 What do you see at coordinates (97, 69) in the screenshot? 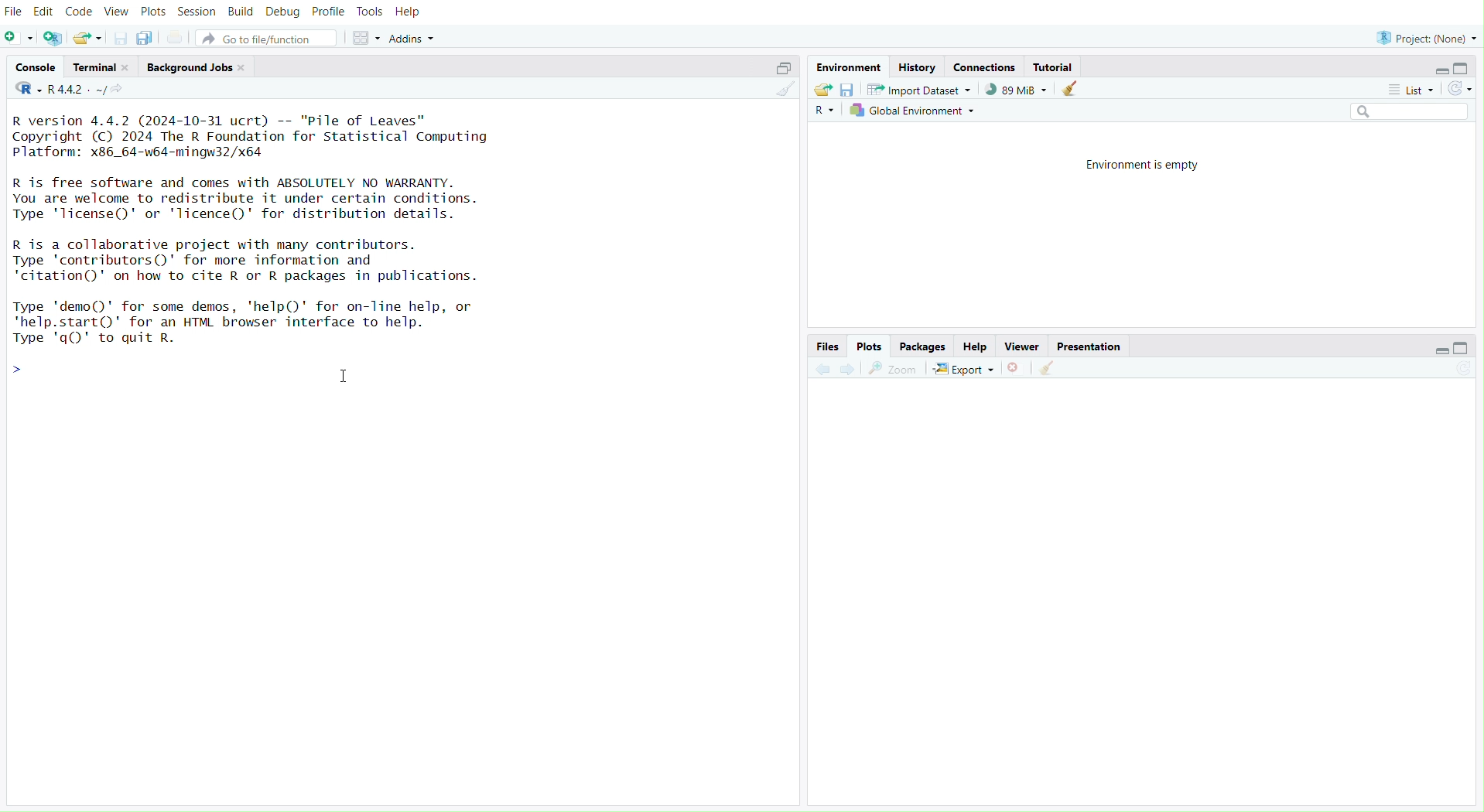
I see `Terminal` at bounding box center [97, 69].